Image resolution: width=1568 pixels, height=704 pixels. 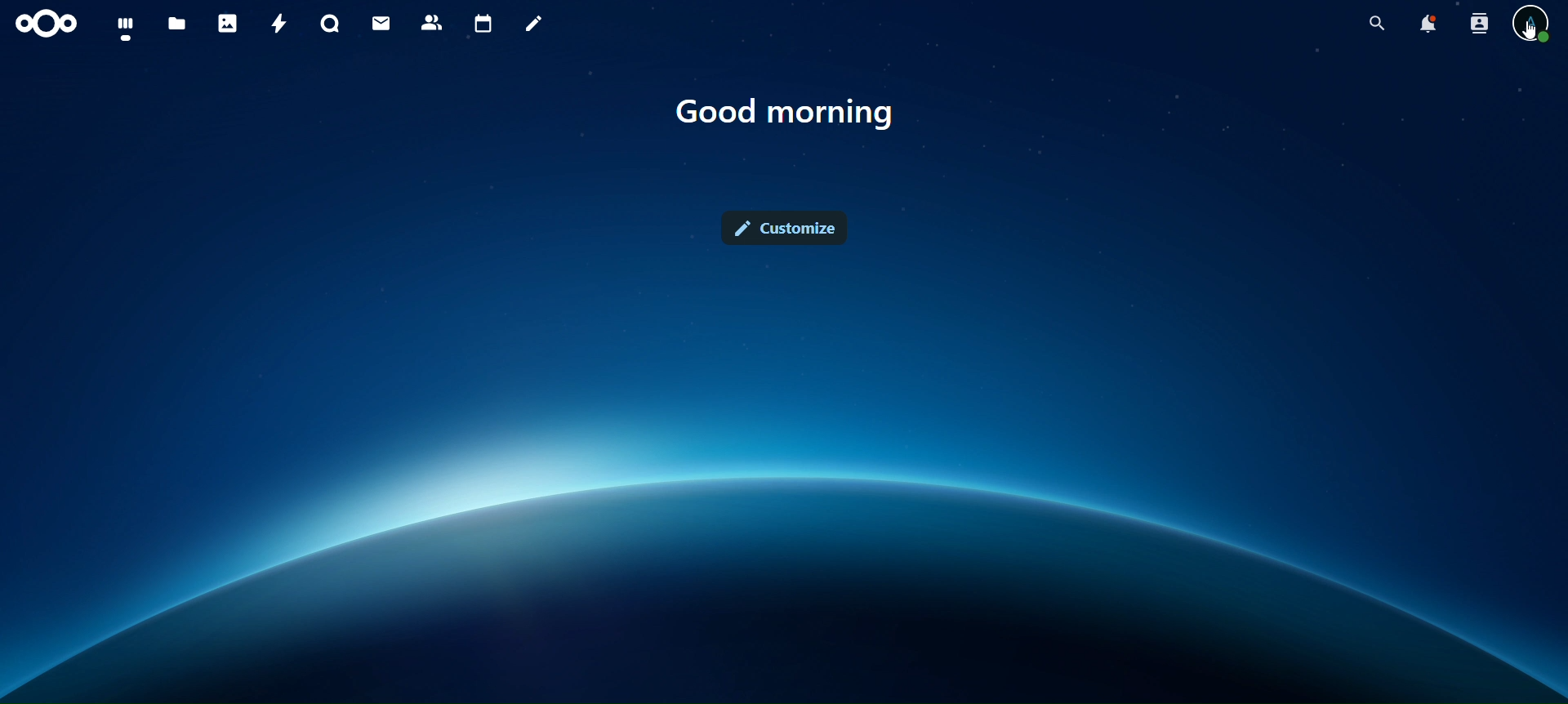 What do you see at coordinates (128, 28) in the screenshot?
I see `dashboard` at bounding box center [128, 28].